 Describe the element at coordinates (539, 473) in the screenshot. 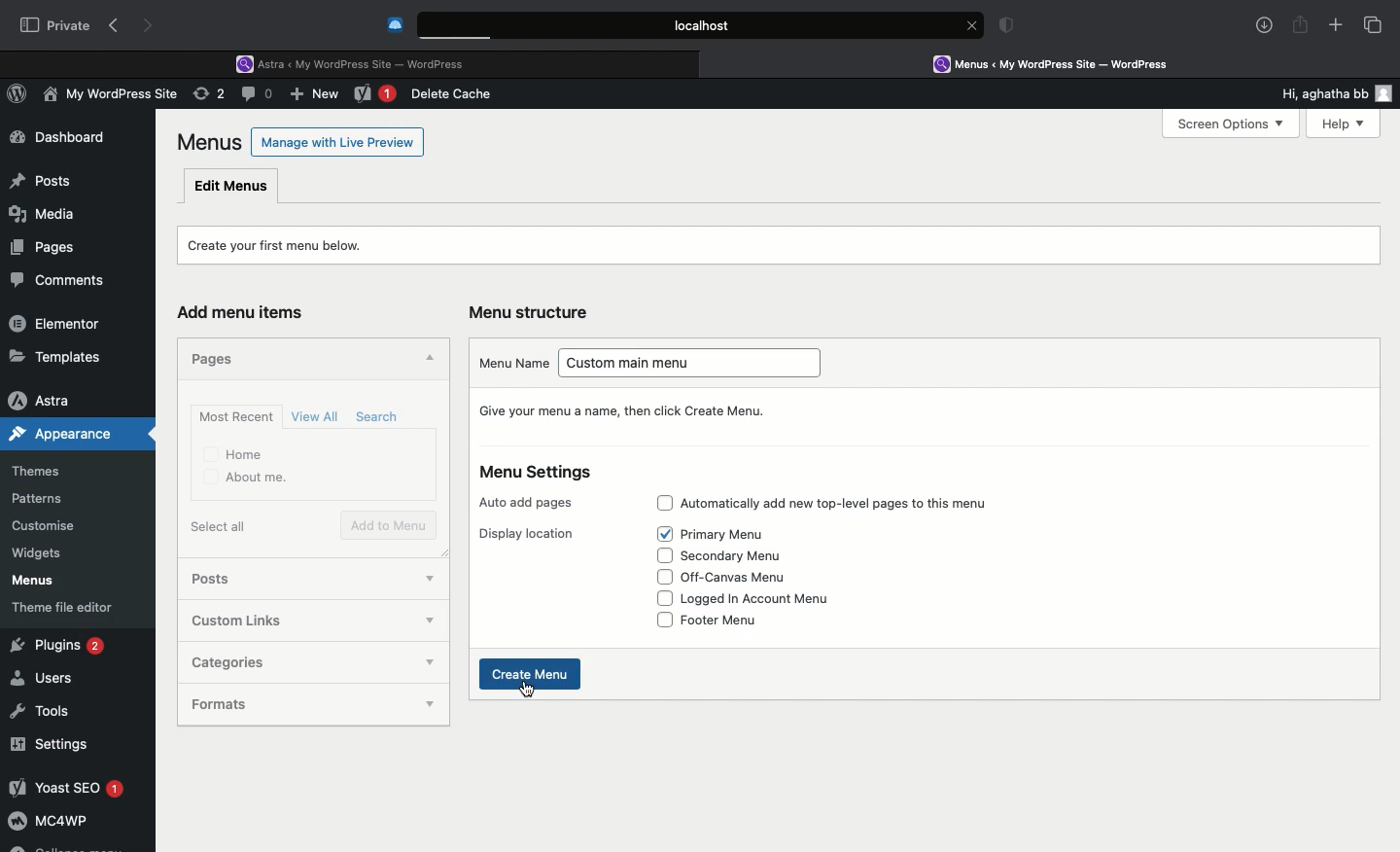

I see `Menu settings` at that location.